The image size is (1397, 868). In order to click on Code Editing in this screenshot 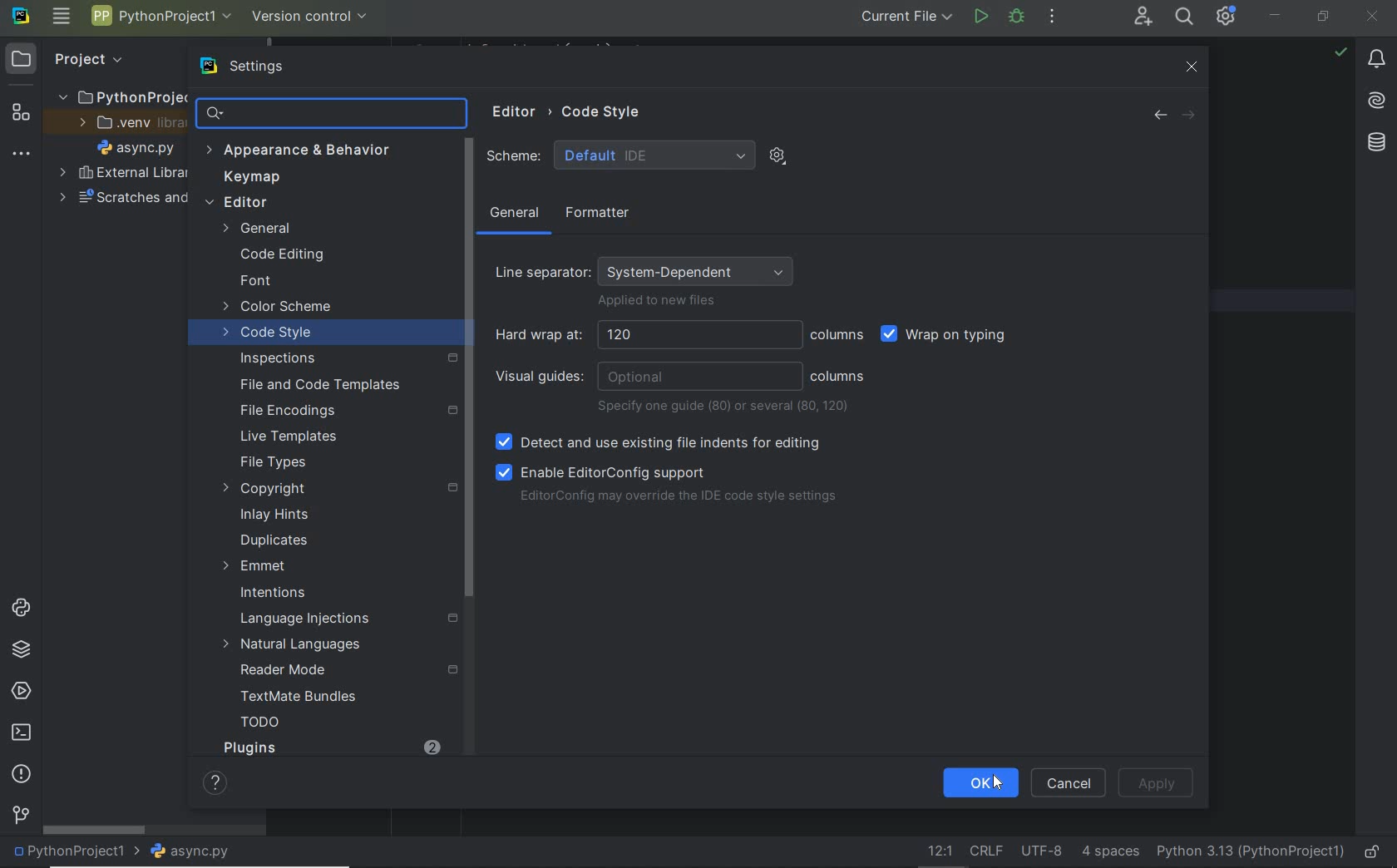, I will do `click(284, 254)`.